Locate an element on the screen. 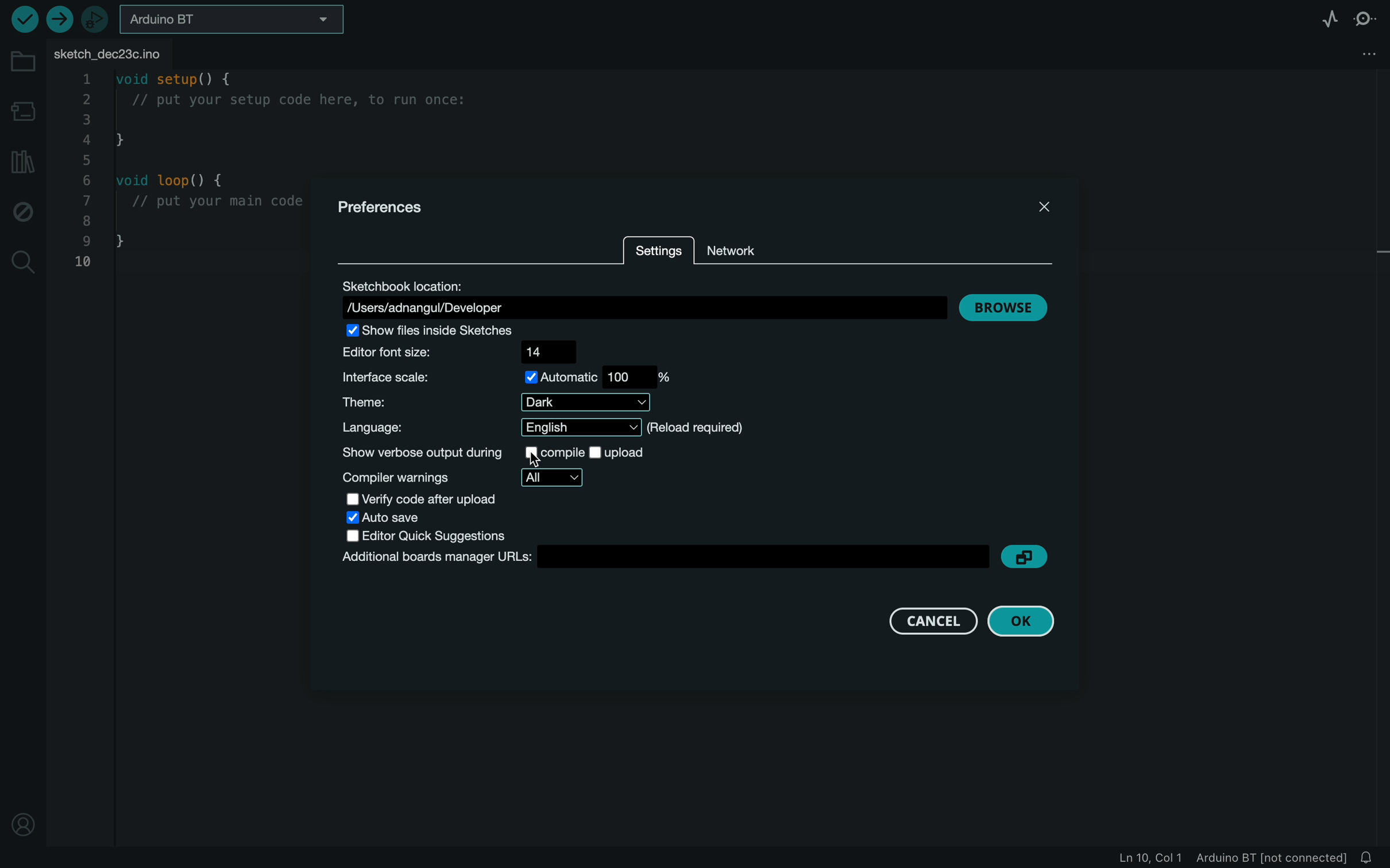 The height and width of the screenshot is (868, 1390). ok is located at coordinates (1021, 622).